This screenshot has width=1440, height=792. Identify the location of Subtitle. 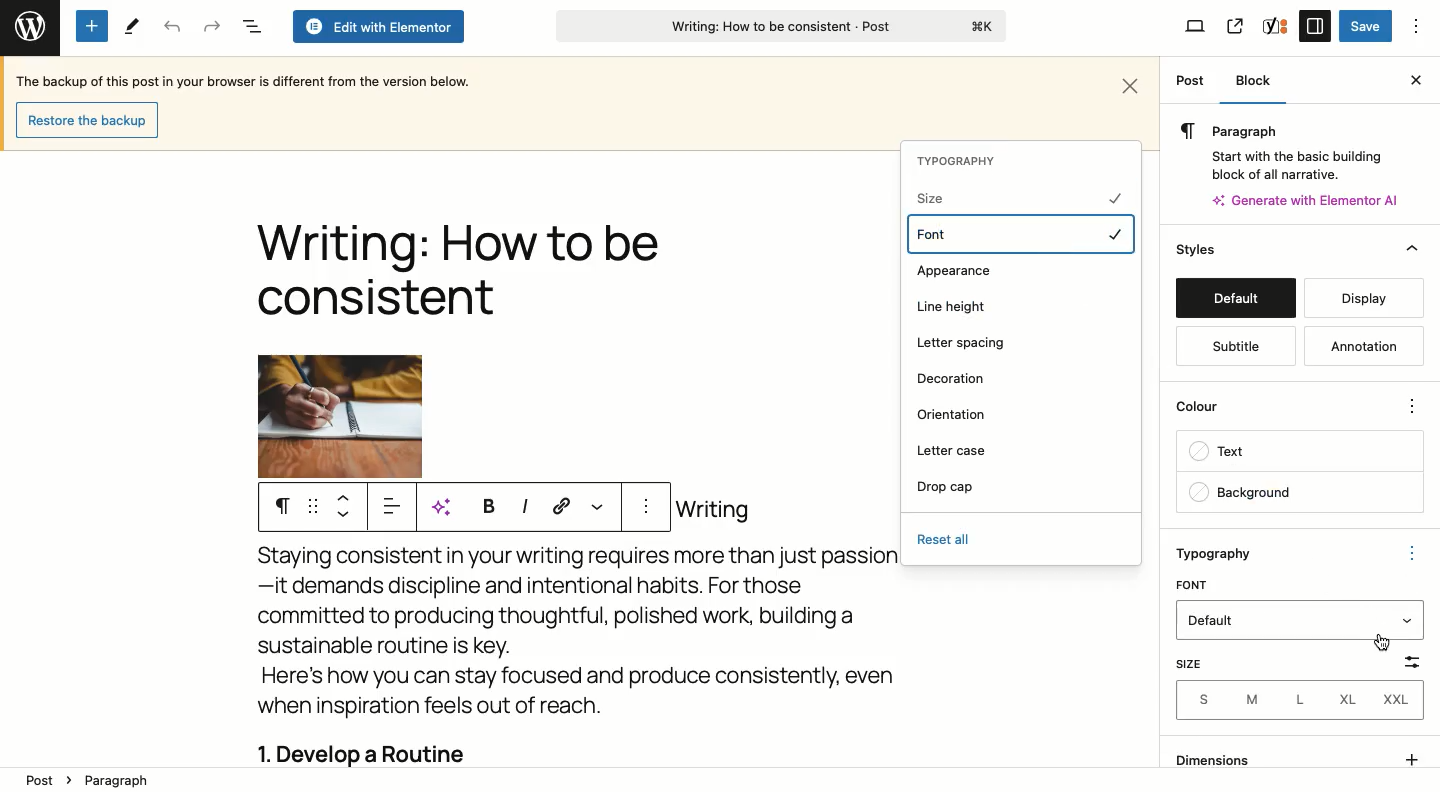
(1235, 347).